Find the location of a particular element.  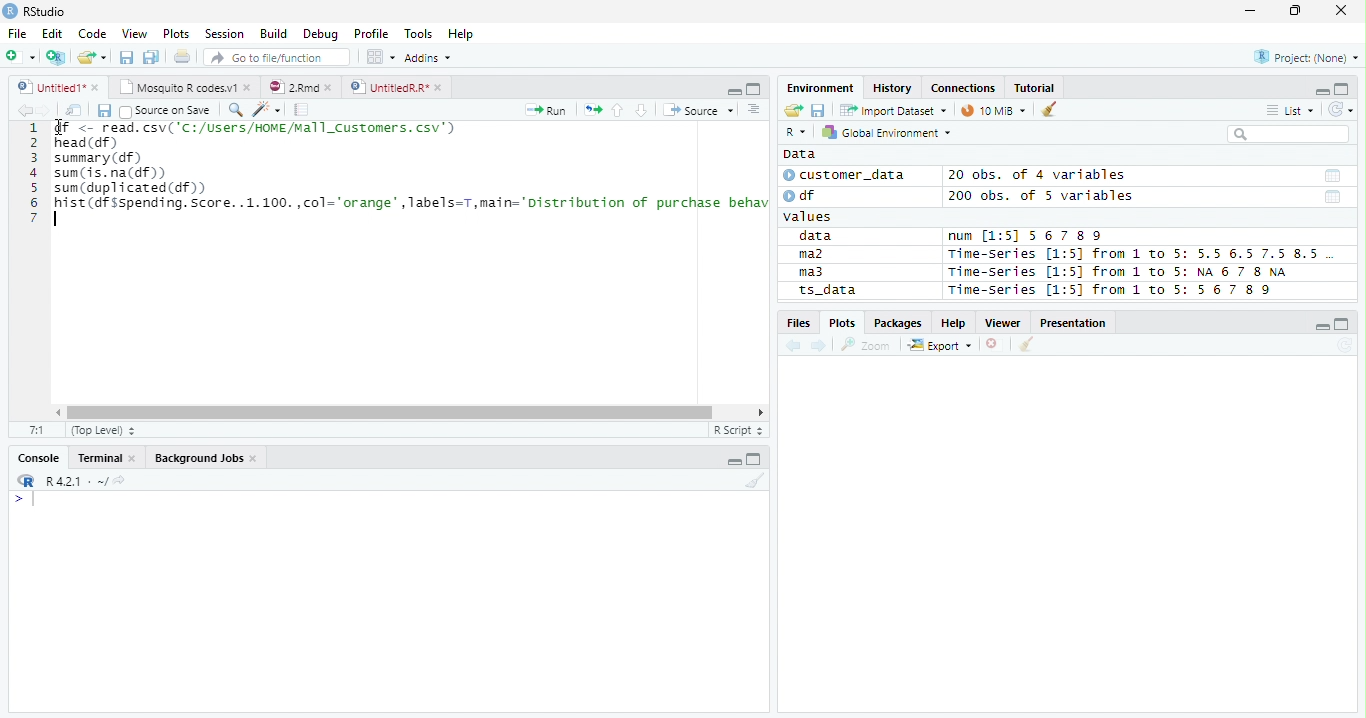

Time-series [1:5] from 1 to 5: NA 6 7 8 NA is located at coordinates (1126, 273).